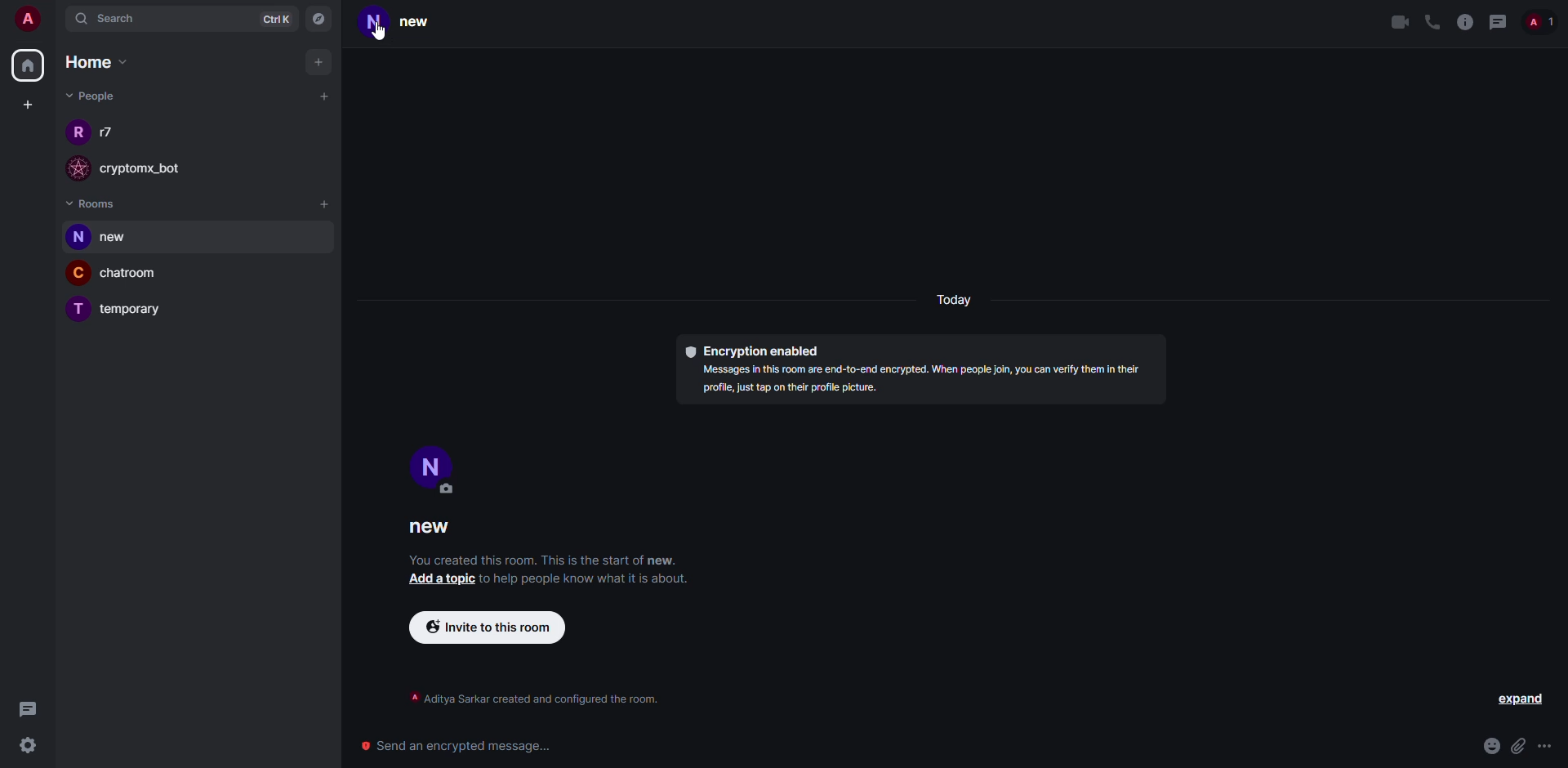  What do you see at coordinates (320, 19) in the screenshot?
I see `navigator` at bounding box center [320, 19].